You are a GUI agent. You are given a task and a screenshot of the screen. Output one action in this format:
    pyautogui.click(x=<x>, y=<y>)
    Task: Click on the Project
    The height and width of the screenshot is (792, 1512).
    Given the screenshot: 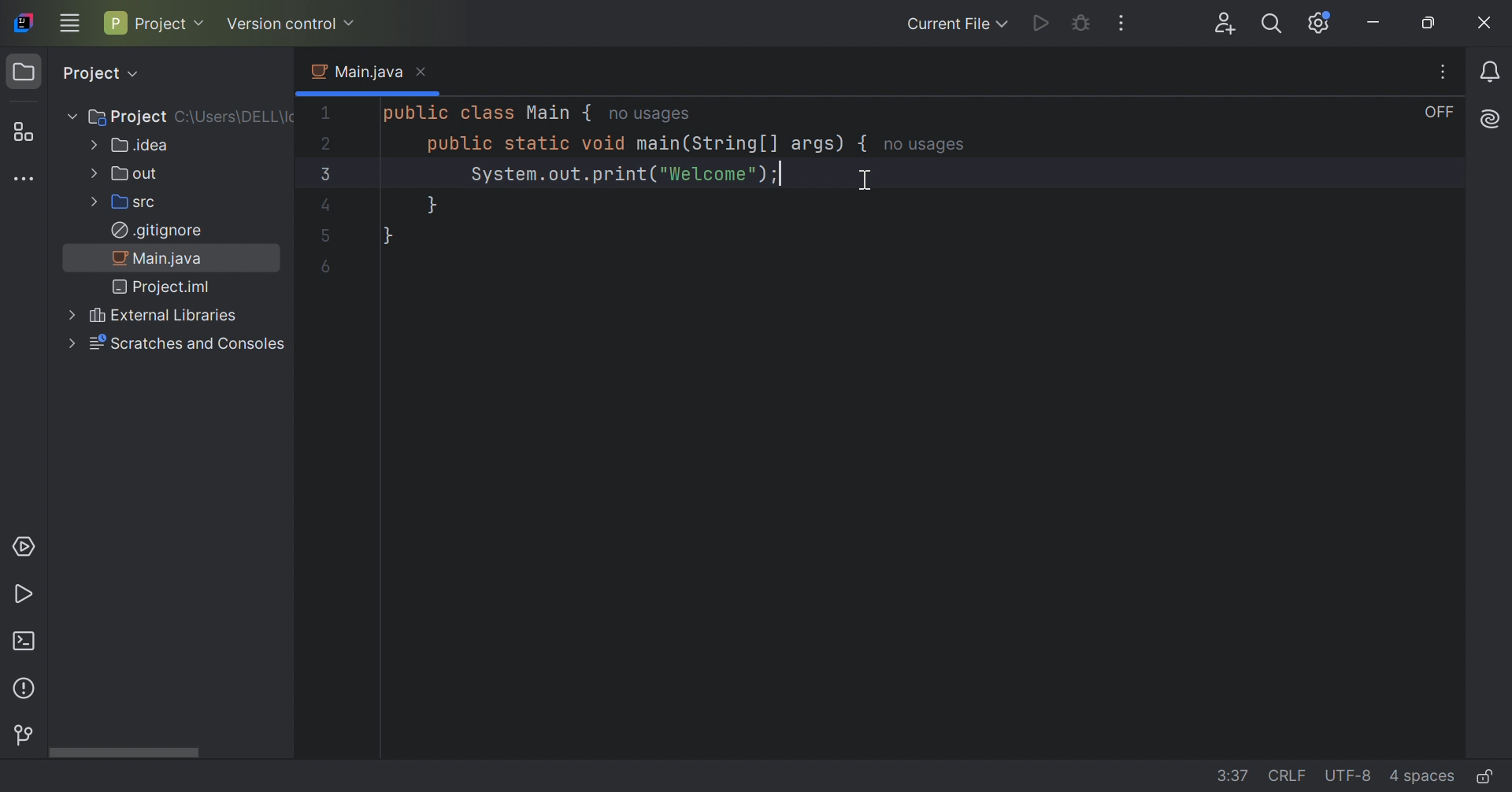 What is the action you would take?
    pyautogui.click(x=171, y=25)
    